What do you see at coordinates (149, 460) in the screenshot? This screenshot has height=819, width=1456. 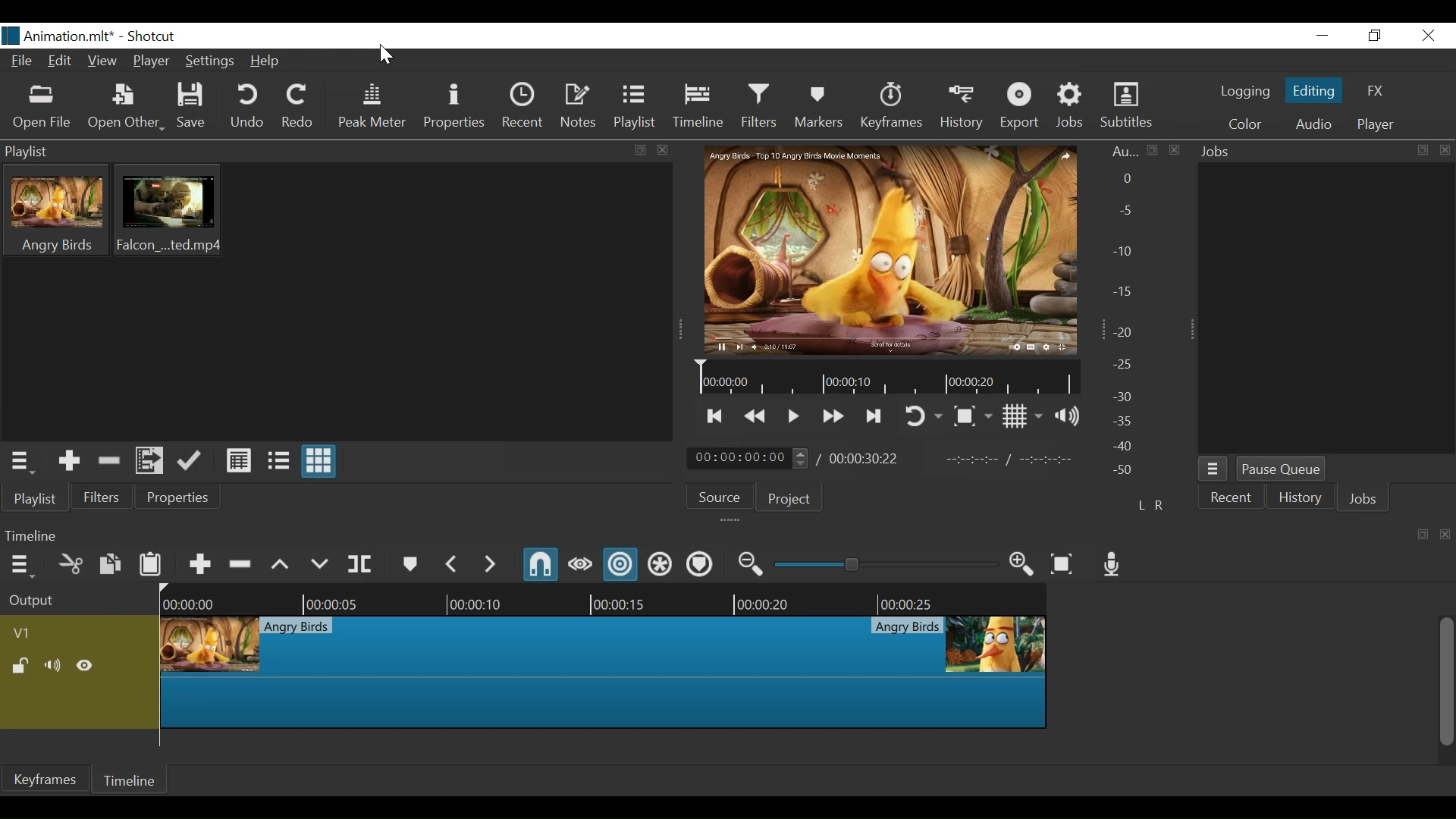 I see `Add files to the playlist` at bounding box center [149, 460].